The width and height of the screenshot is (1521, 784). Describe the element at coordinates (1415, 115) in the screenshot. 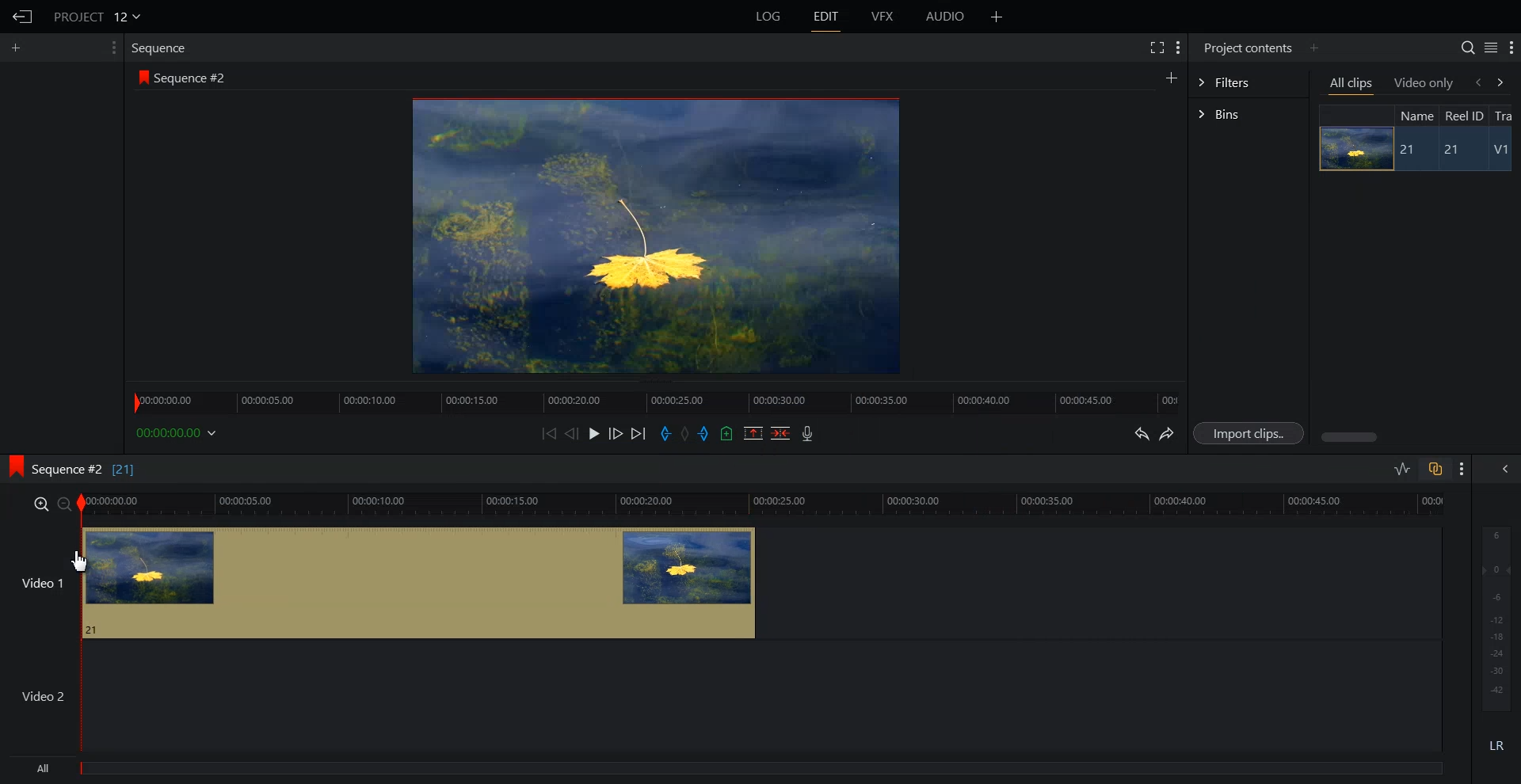

I see `Name` at that location.